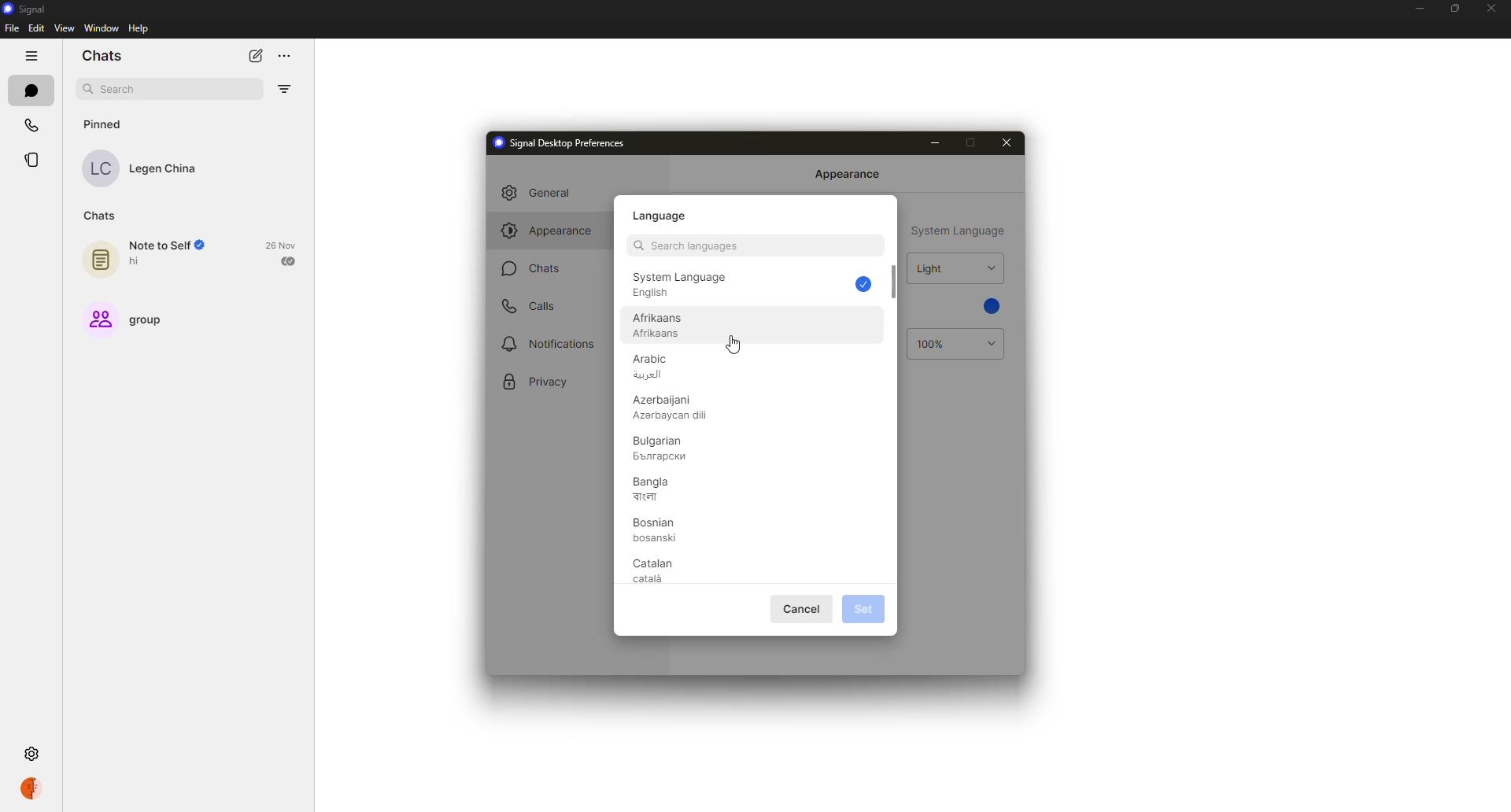 The width and height of the screenshot is (1511, 812). What do you see at coordinates (285, 57) in the screenshot?
I see `more` at bounding box center [285, 57].